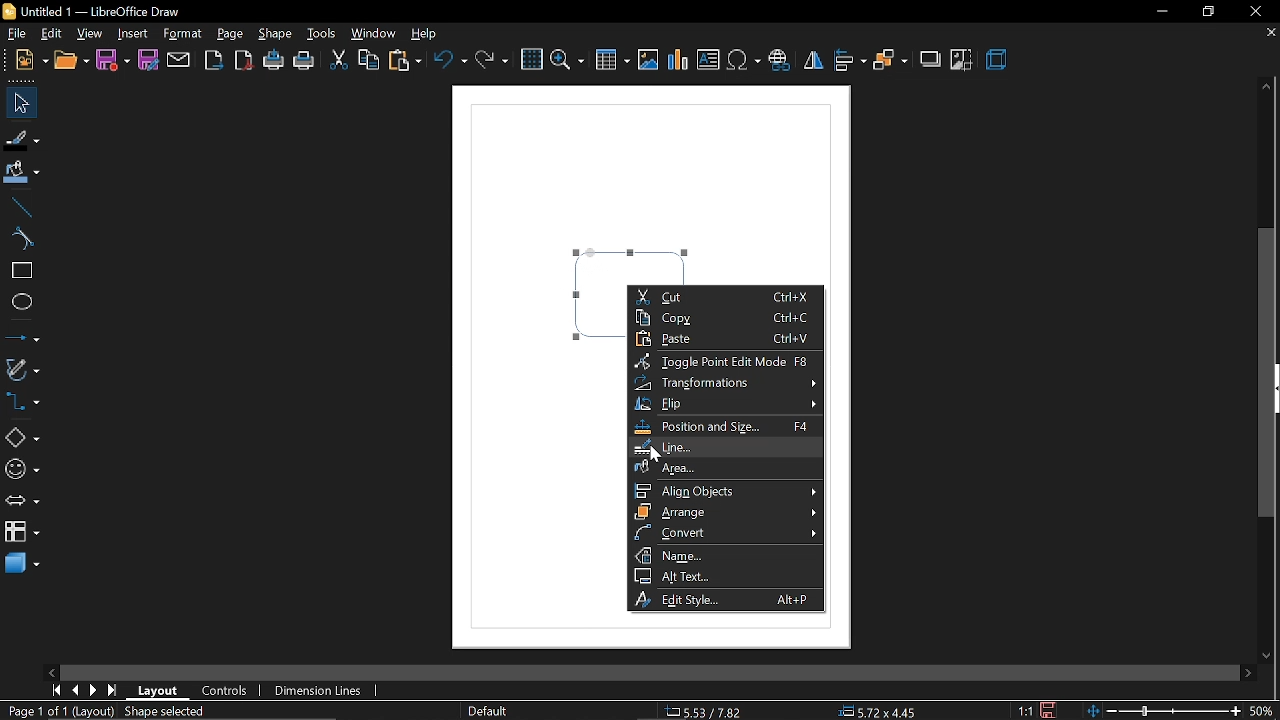  I want to click on edit style, so click(725, 600).